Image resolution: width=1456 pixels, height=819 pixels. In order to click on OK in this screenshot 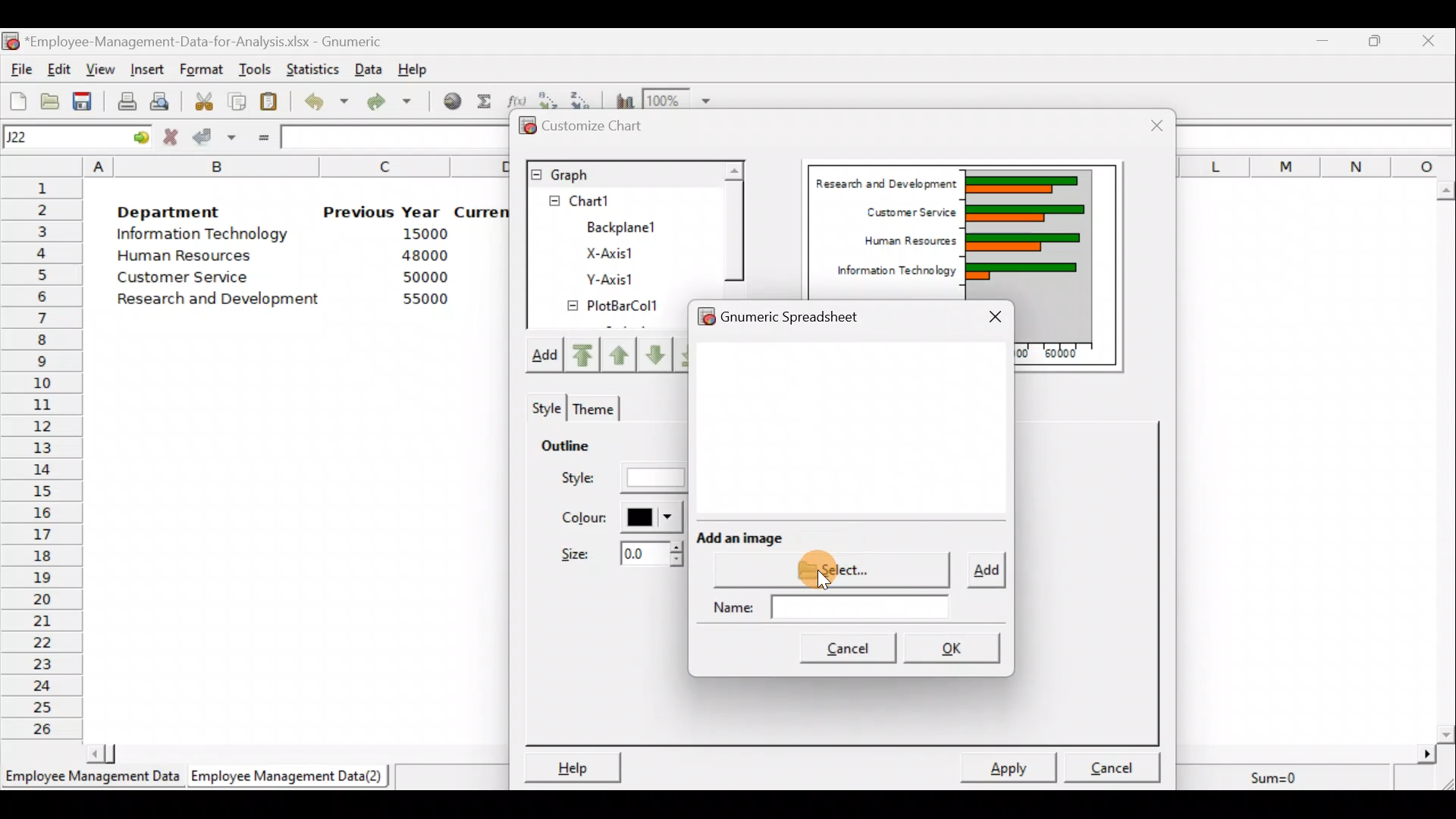, I will do `click(952, 644)`.